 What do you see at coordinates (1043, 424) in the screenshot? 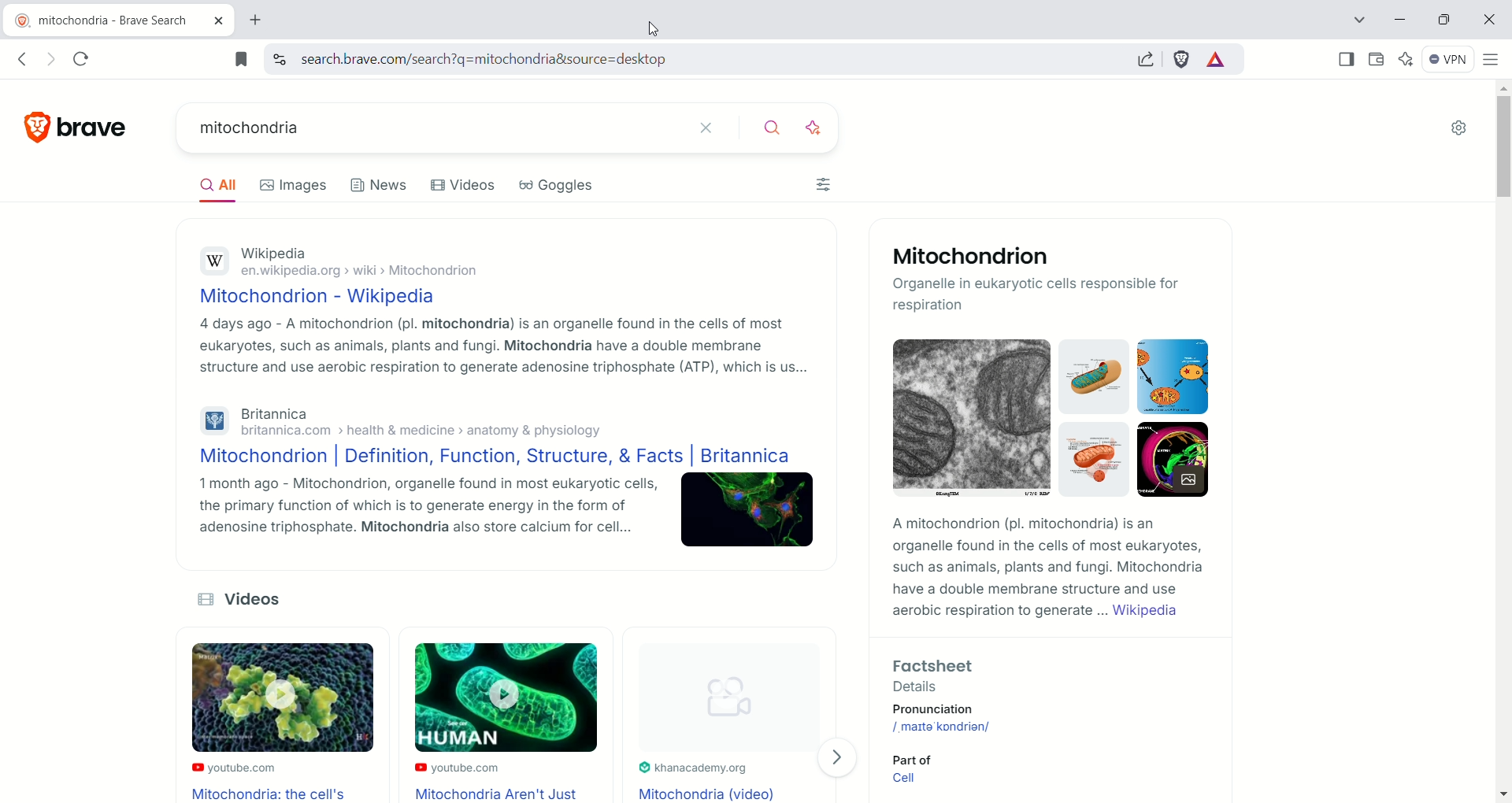
I see `Mitochondrion images` at bounding box center [1043, 424].